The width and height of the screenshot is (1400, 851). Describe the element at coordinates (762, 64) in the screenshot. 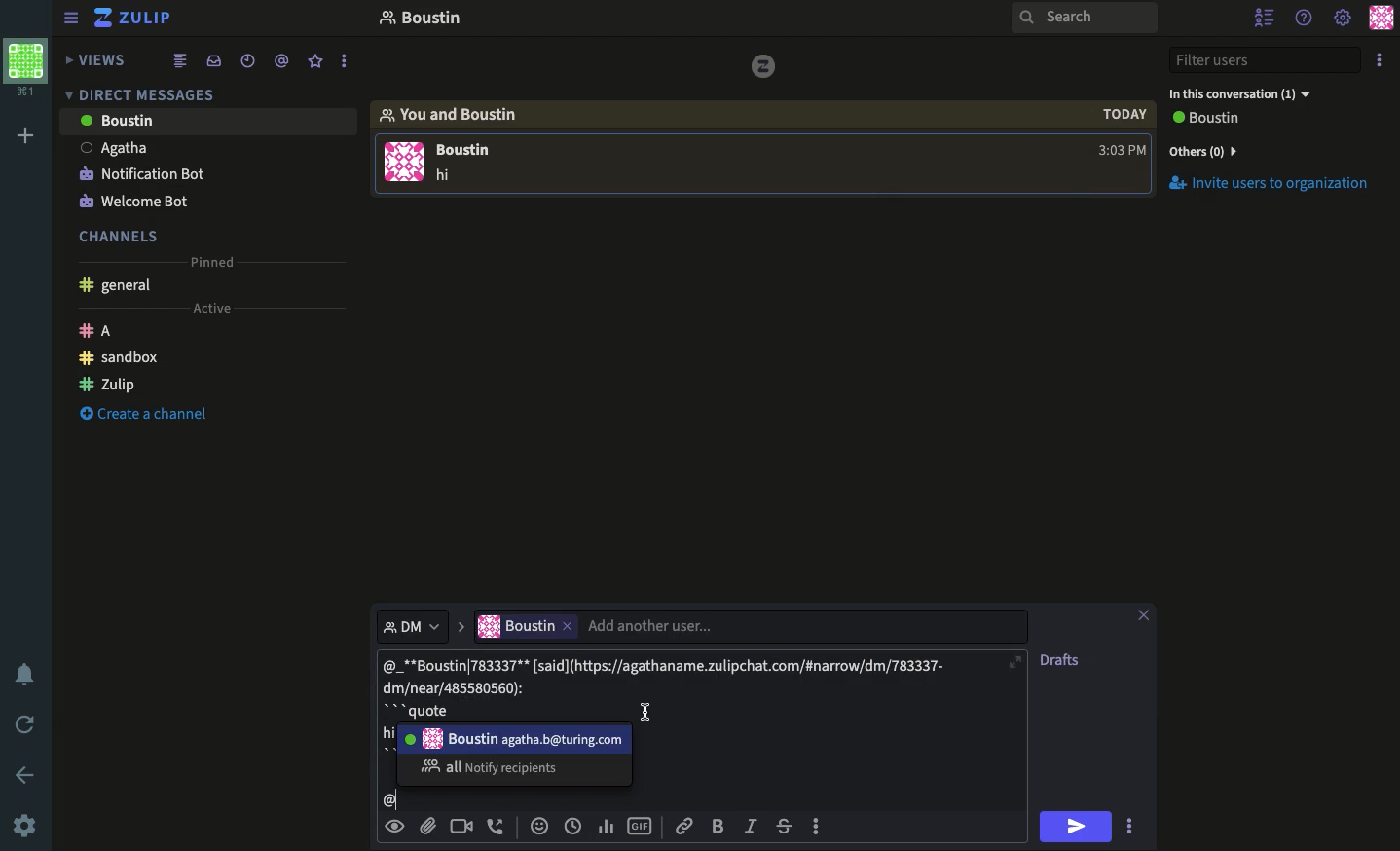

I see `vice versa` at that location.